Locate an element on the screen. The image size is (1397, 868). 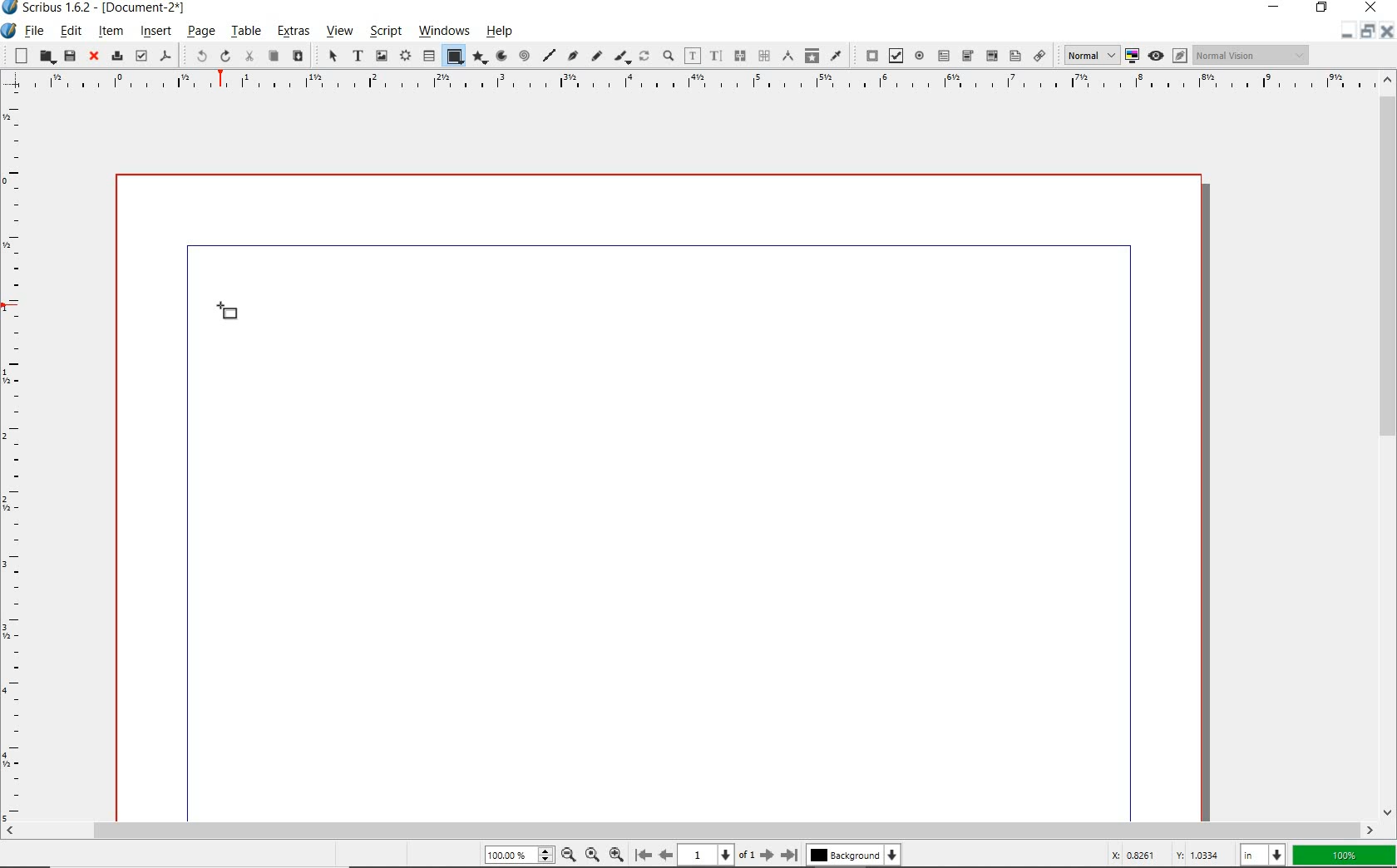
select item is located at coordinates (332, 55).